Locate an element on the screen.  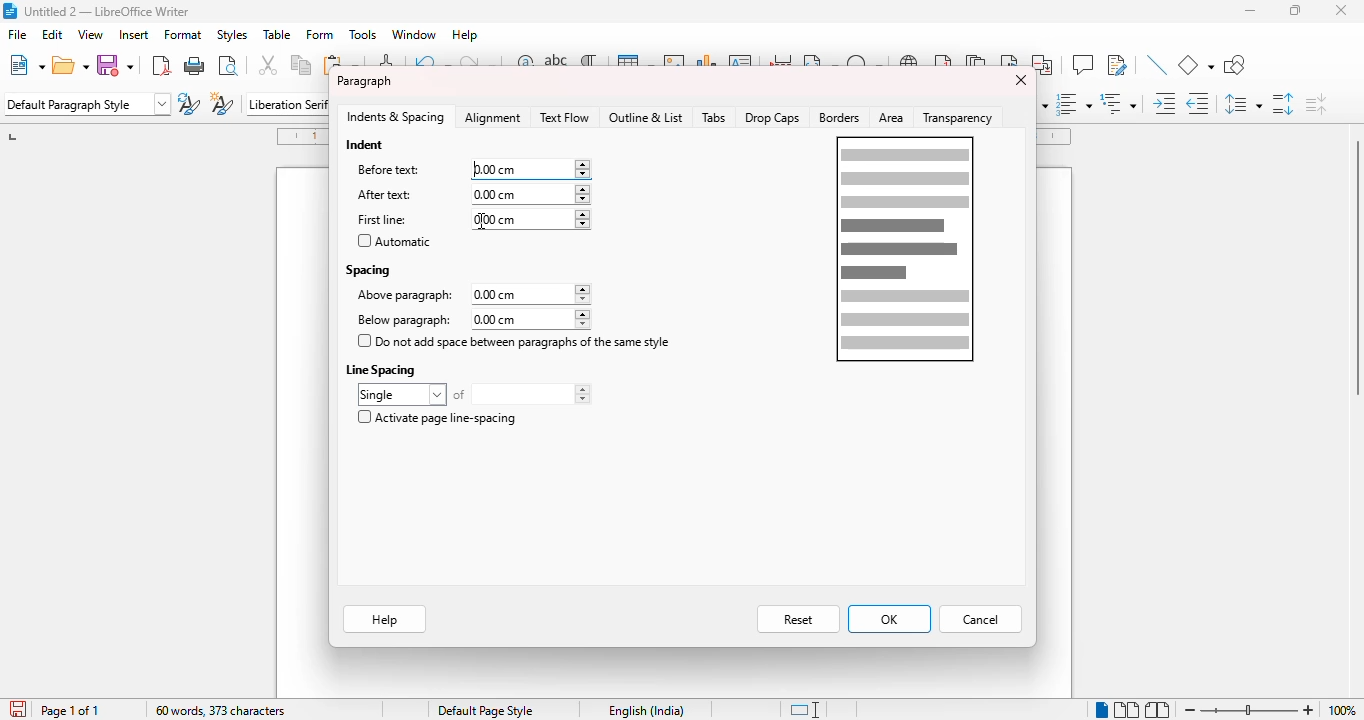
styles is located at coordinates (231, 34).